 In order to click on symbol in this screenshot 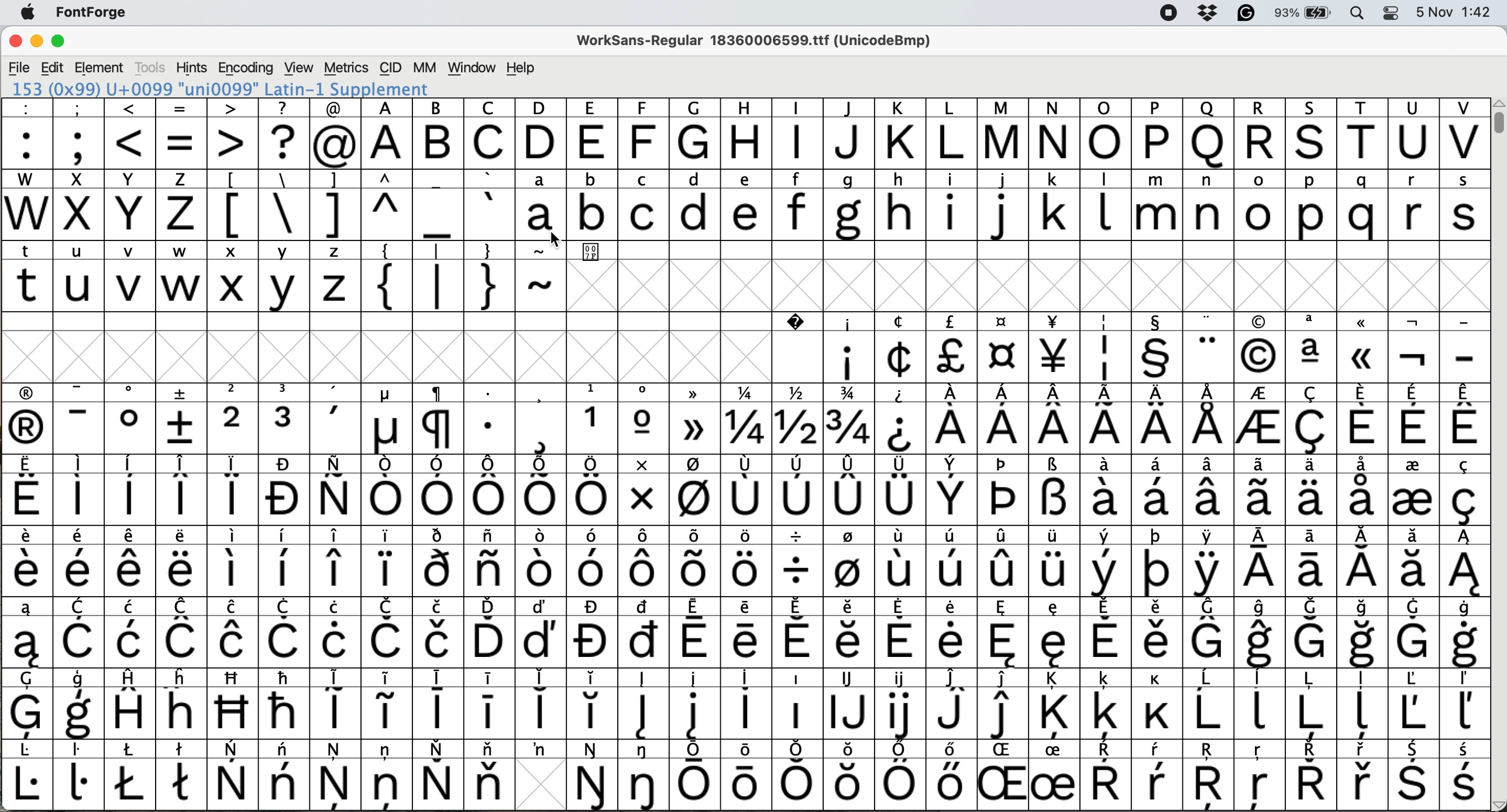, I will do `click(28, 491)`.